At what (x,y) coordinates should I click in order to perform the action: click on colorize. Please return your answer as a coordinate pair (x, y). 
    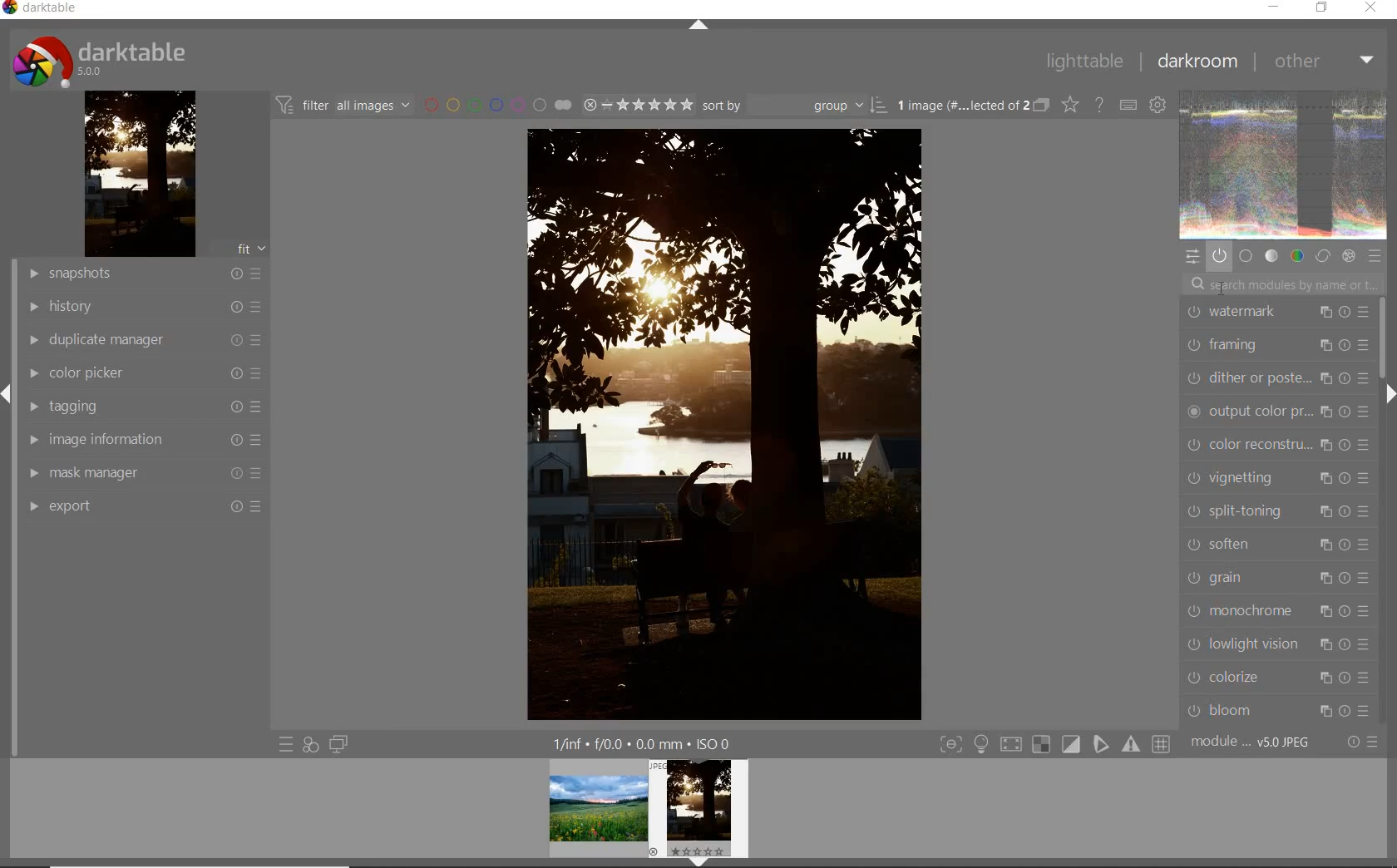
    Looking at the image, I should click on (1278, 677).